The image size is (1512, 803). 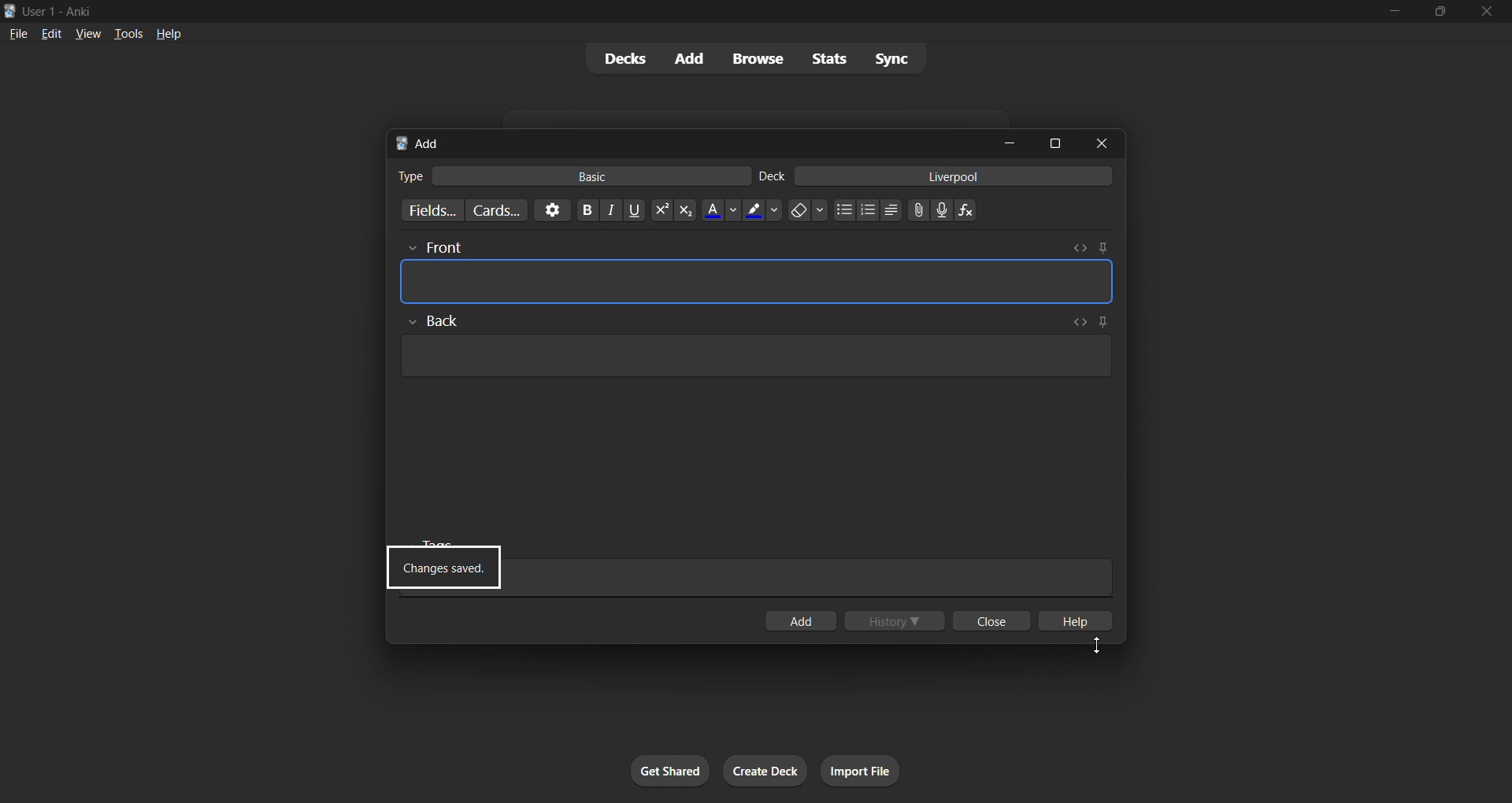 What do you see at coordinates (753, 58) in the screenshot?
I see `browse` at bounding box center [753, 58].